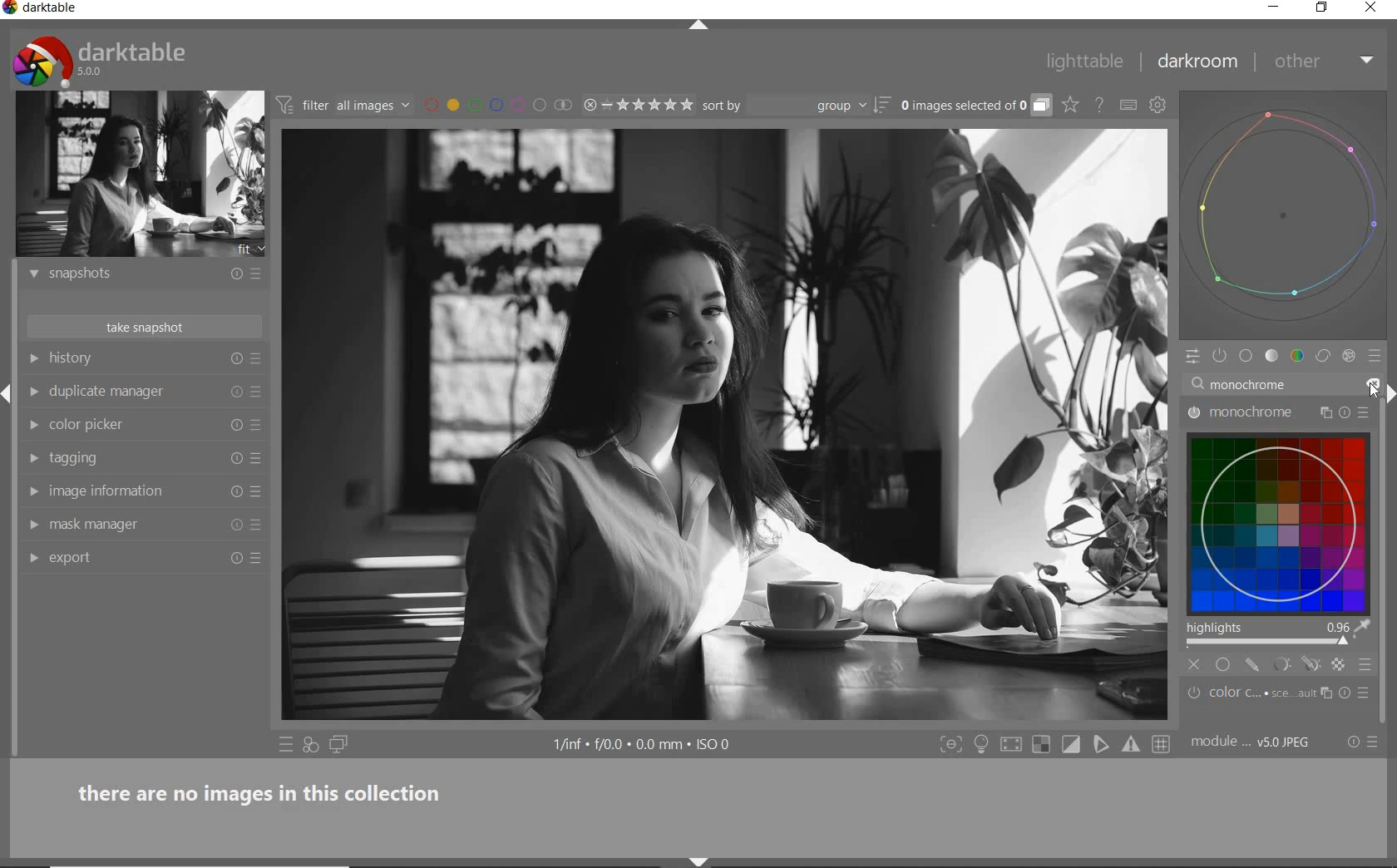 The image size is (1397, 868). What do you see at coordinates (133, 556) in the screenshot?
I see `export` at bounding box center [133, 556].